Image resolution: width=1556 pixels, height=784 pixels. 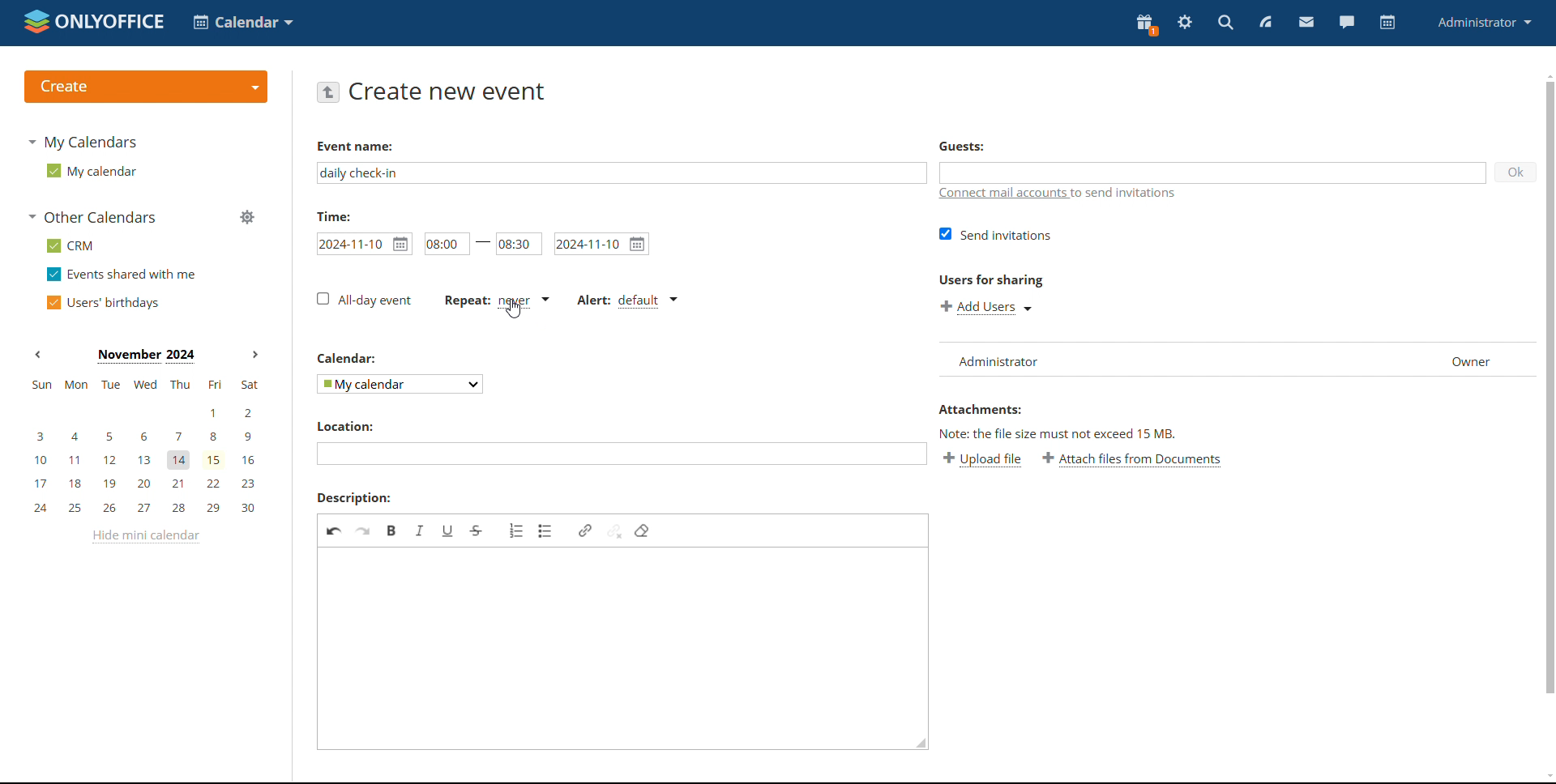 I want to click on manage, so click(x=246, y=217).